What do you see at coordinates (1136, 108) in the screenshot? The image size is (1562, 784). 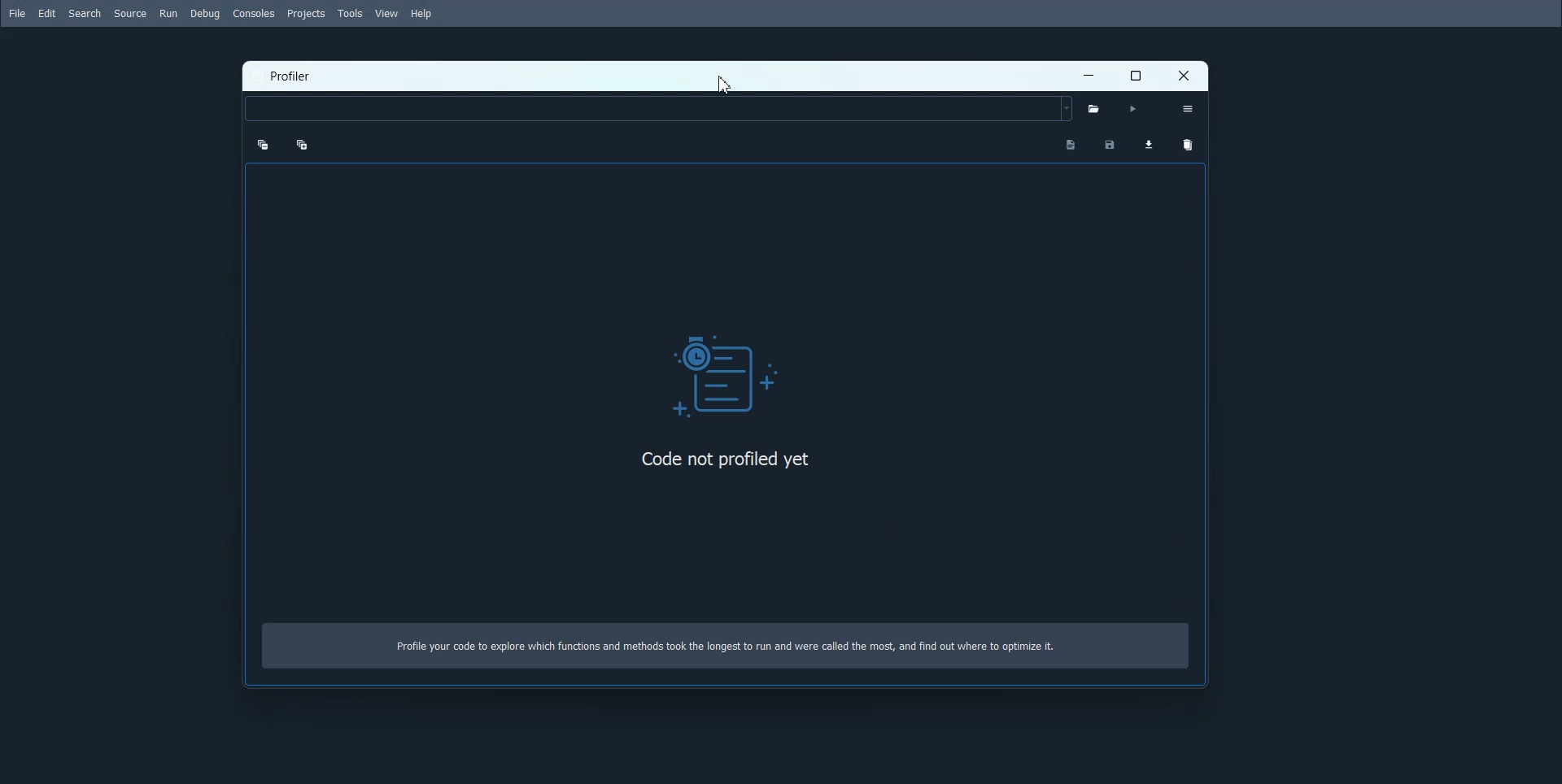 I see `Run Profiler` at bounding box center [1136, 108].